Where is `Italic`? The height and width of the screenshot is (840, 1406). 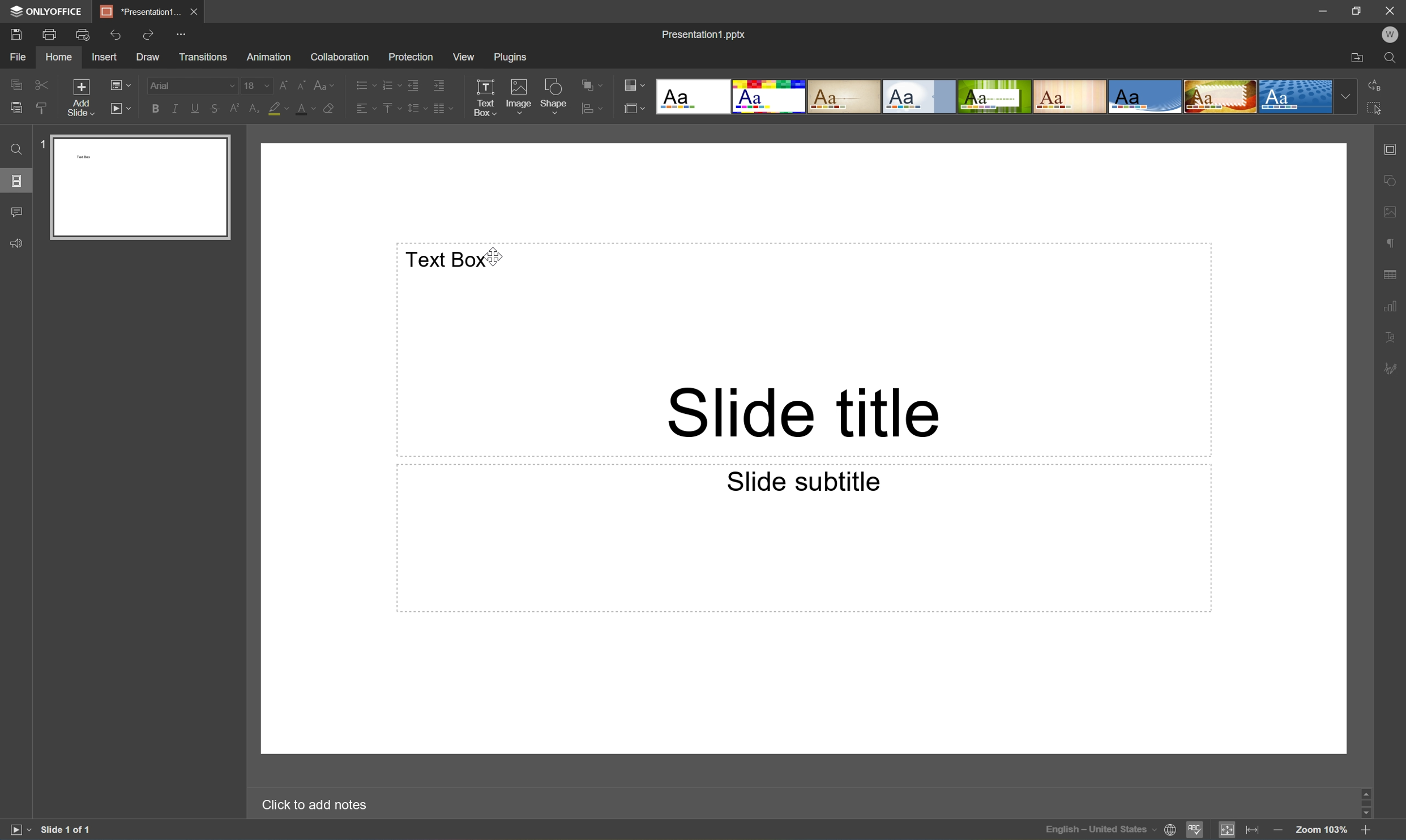
Italic is located at coordinates (174, 109).